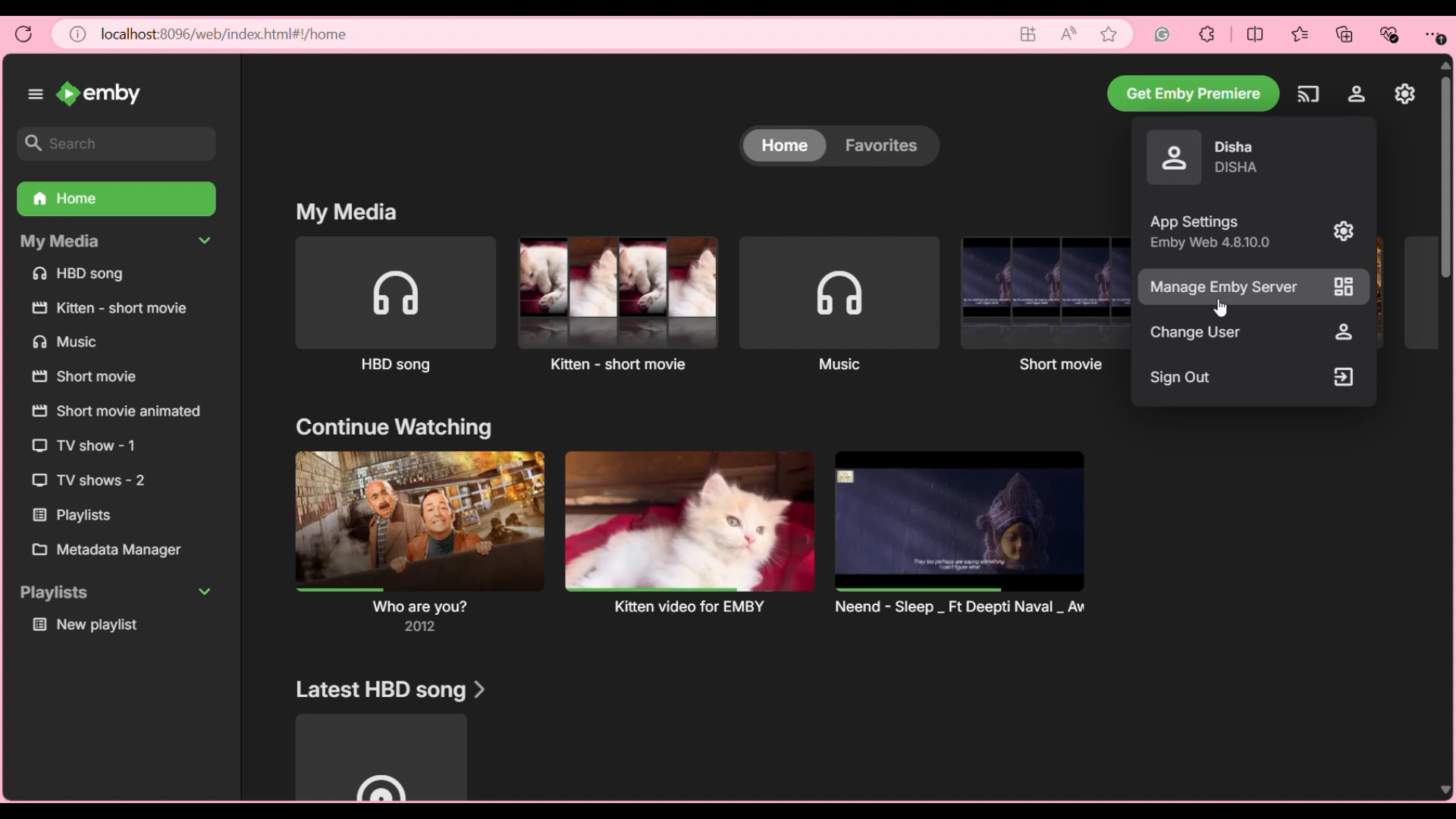 The image size is (1456, 819). What do you see at coordinates (1254, 377) in the screenshot?
I see `Sign out` at bounding box center [1254, 377].